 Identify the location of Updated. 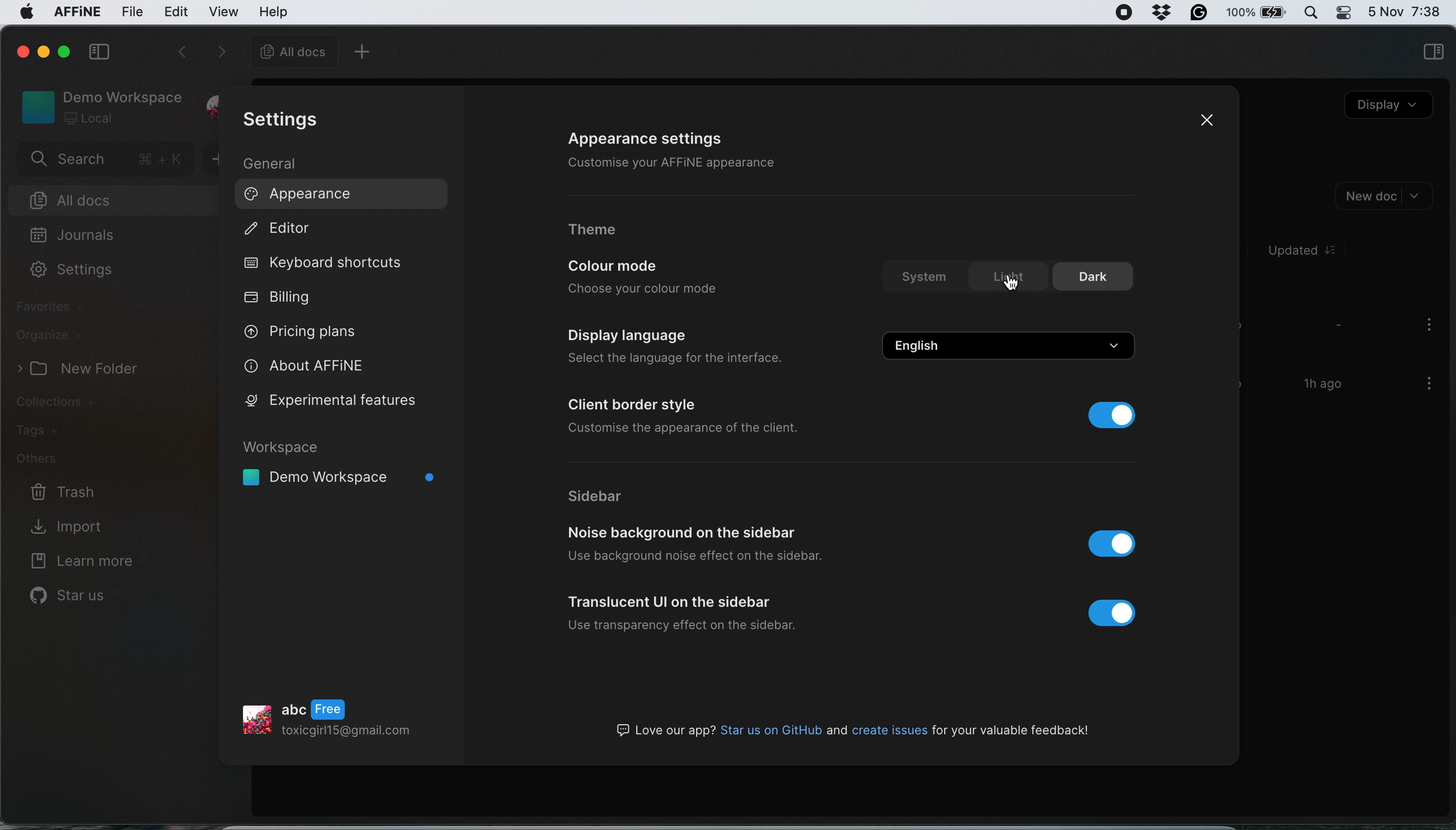
(1309, 251).